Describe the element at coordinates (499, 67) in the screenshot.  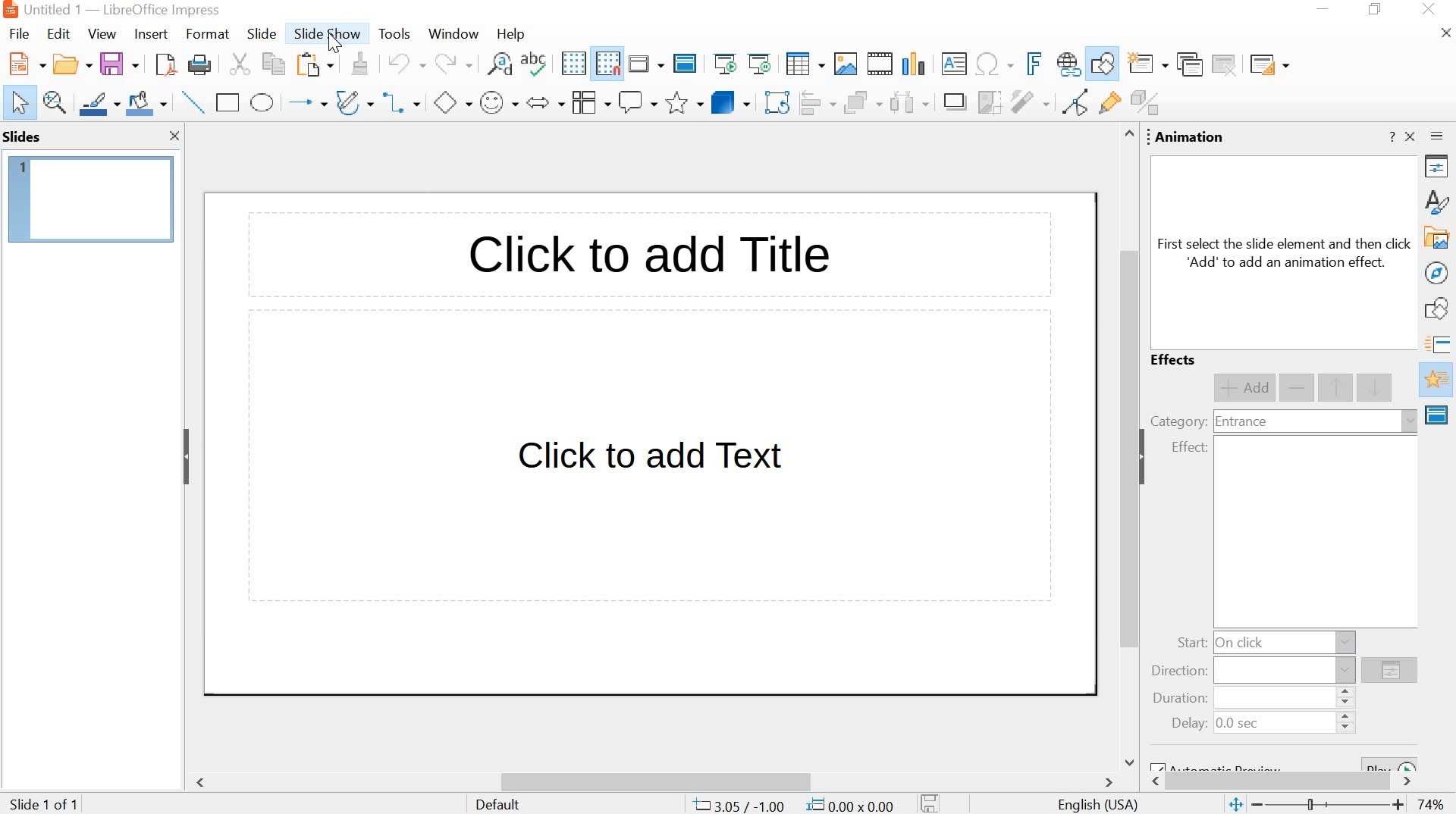
I see `find` at that location.